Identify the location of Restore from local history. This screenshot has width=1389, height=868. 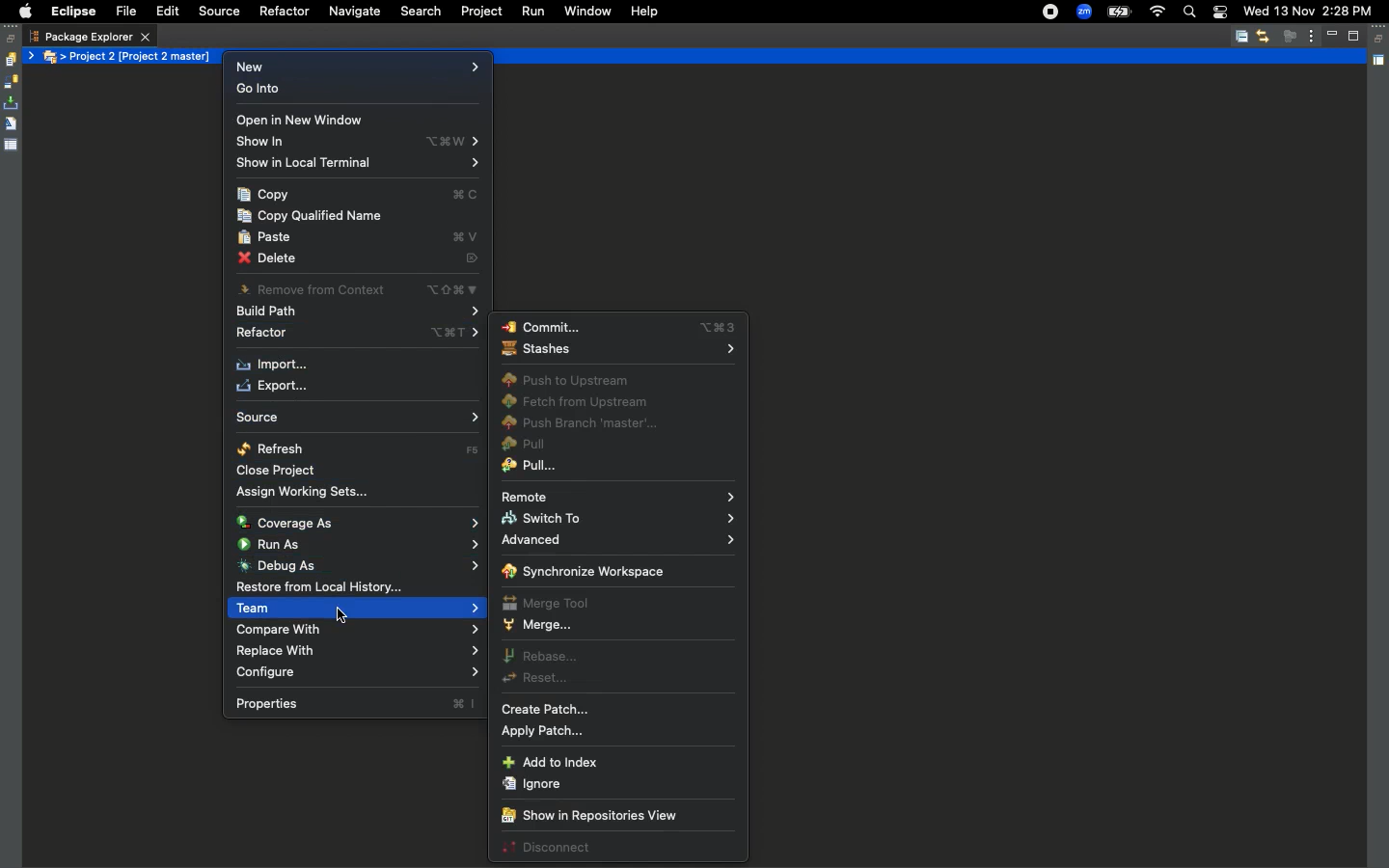
(360, 589).